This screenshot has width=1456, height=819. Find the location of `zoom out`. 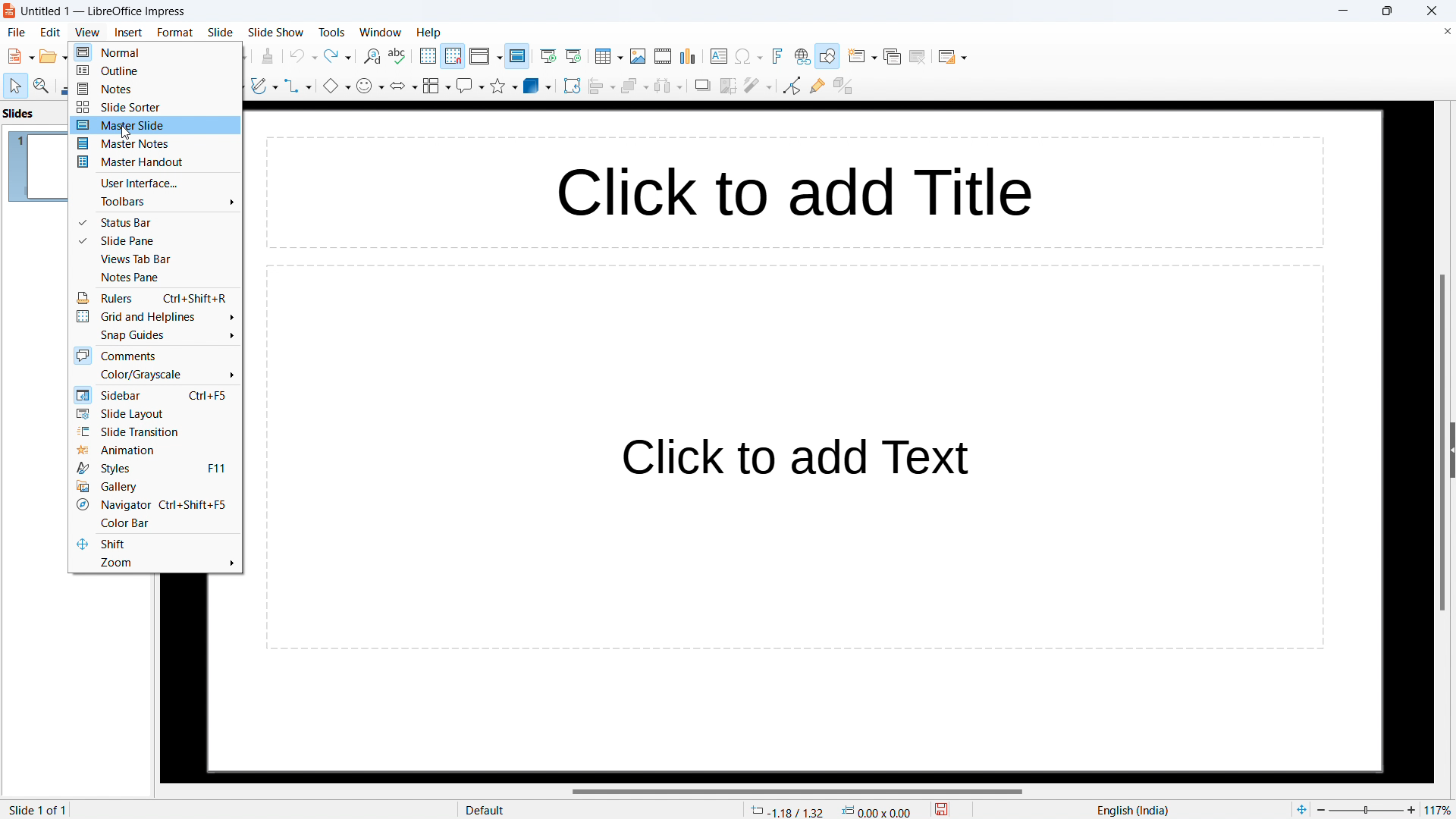

zoom out is located at coordinates (1322, 809).